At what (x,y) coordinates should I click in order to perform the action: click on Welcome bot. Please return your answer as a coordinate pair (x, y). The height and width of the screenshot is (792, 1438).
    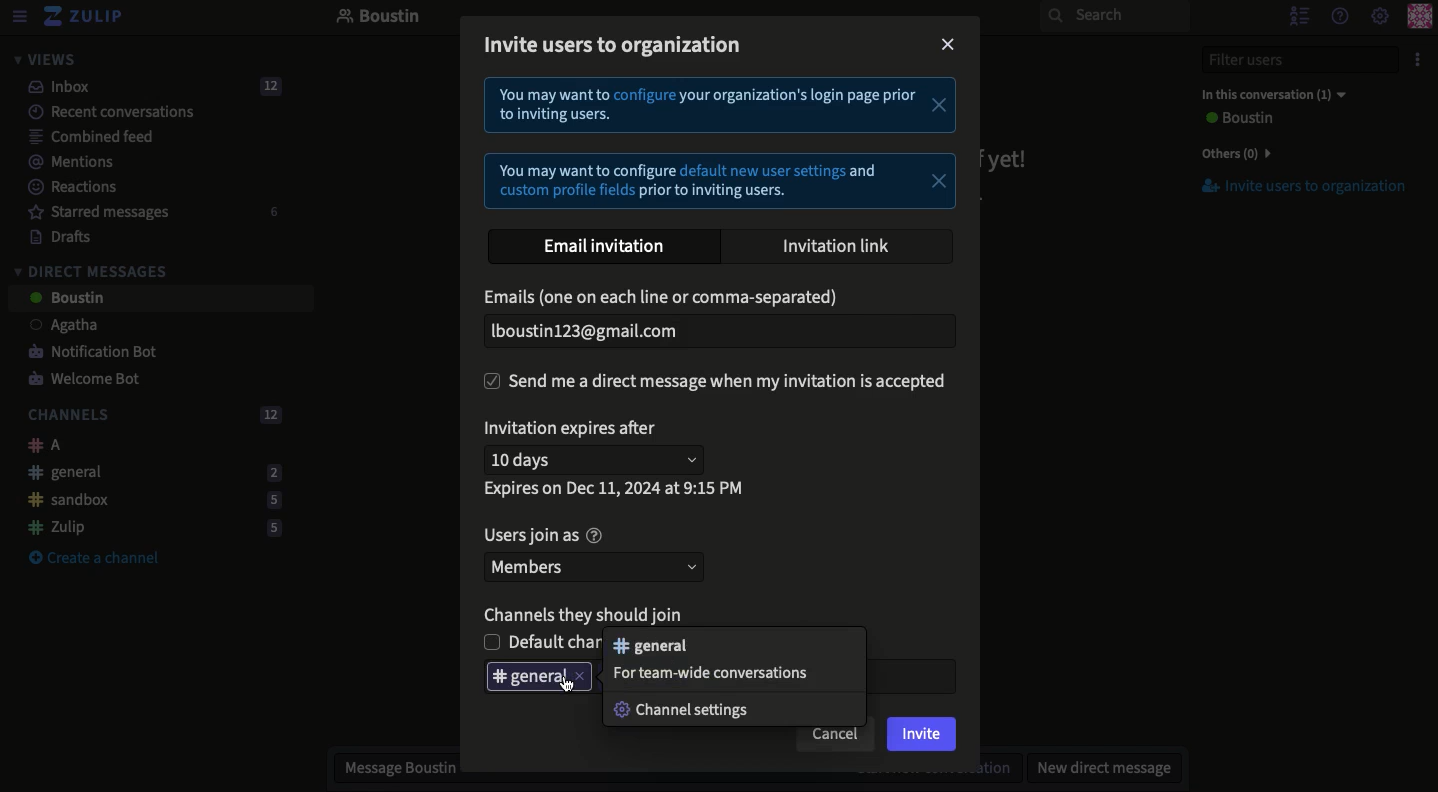
    Looking at the image, I should click on (87, 380).